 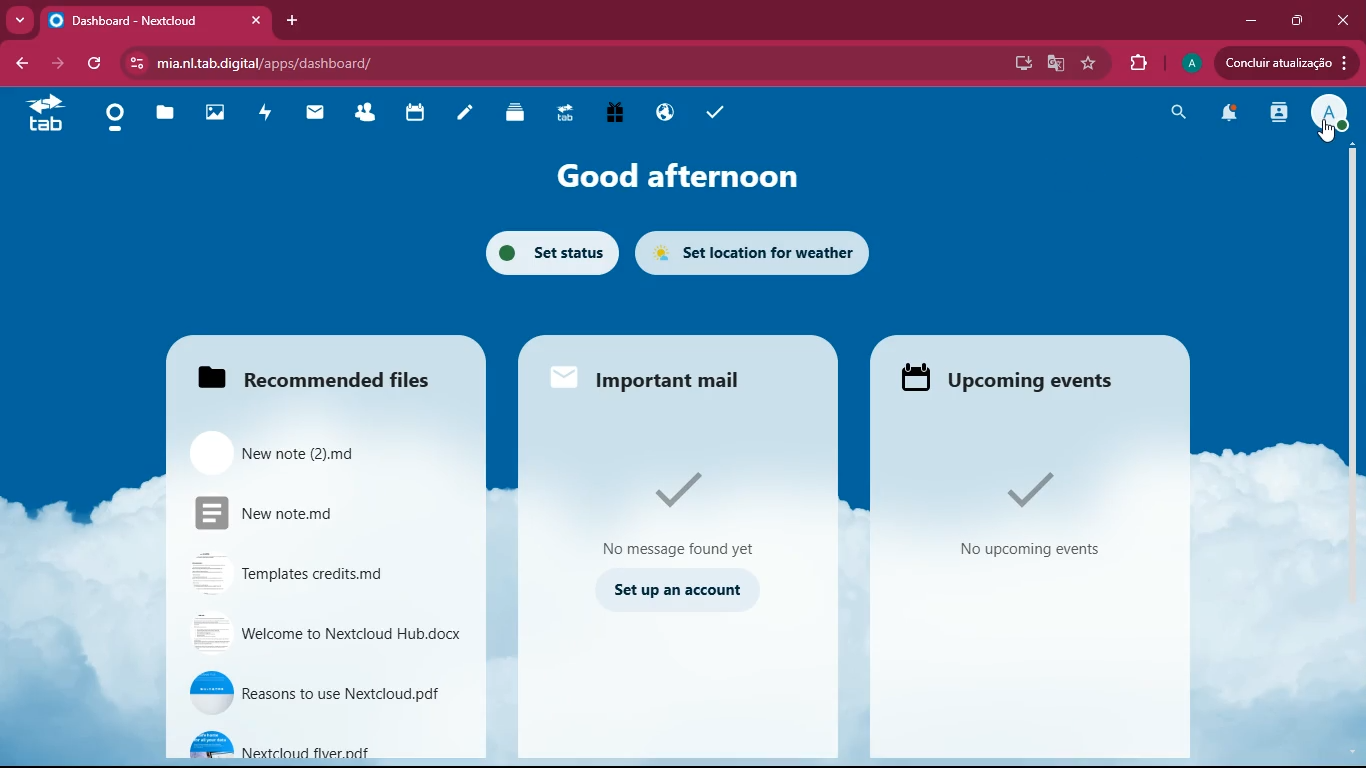 What do you see at coordinates (1019, 65) in the screenshot?
I see `desktop` at bounding box center [1019, 65].